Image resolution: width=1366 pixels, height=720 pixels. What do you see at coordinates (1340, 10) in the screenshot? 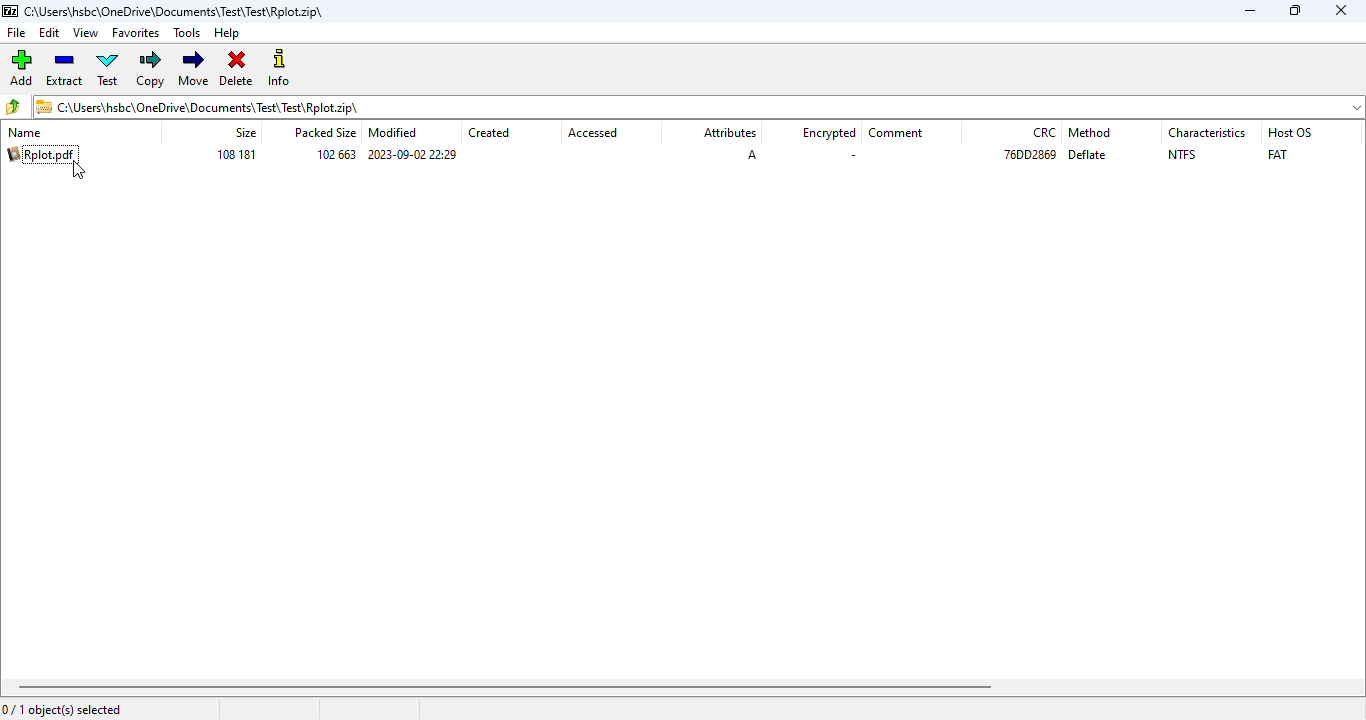
I see `close` at bounding box center [1340, 10].